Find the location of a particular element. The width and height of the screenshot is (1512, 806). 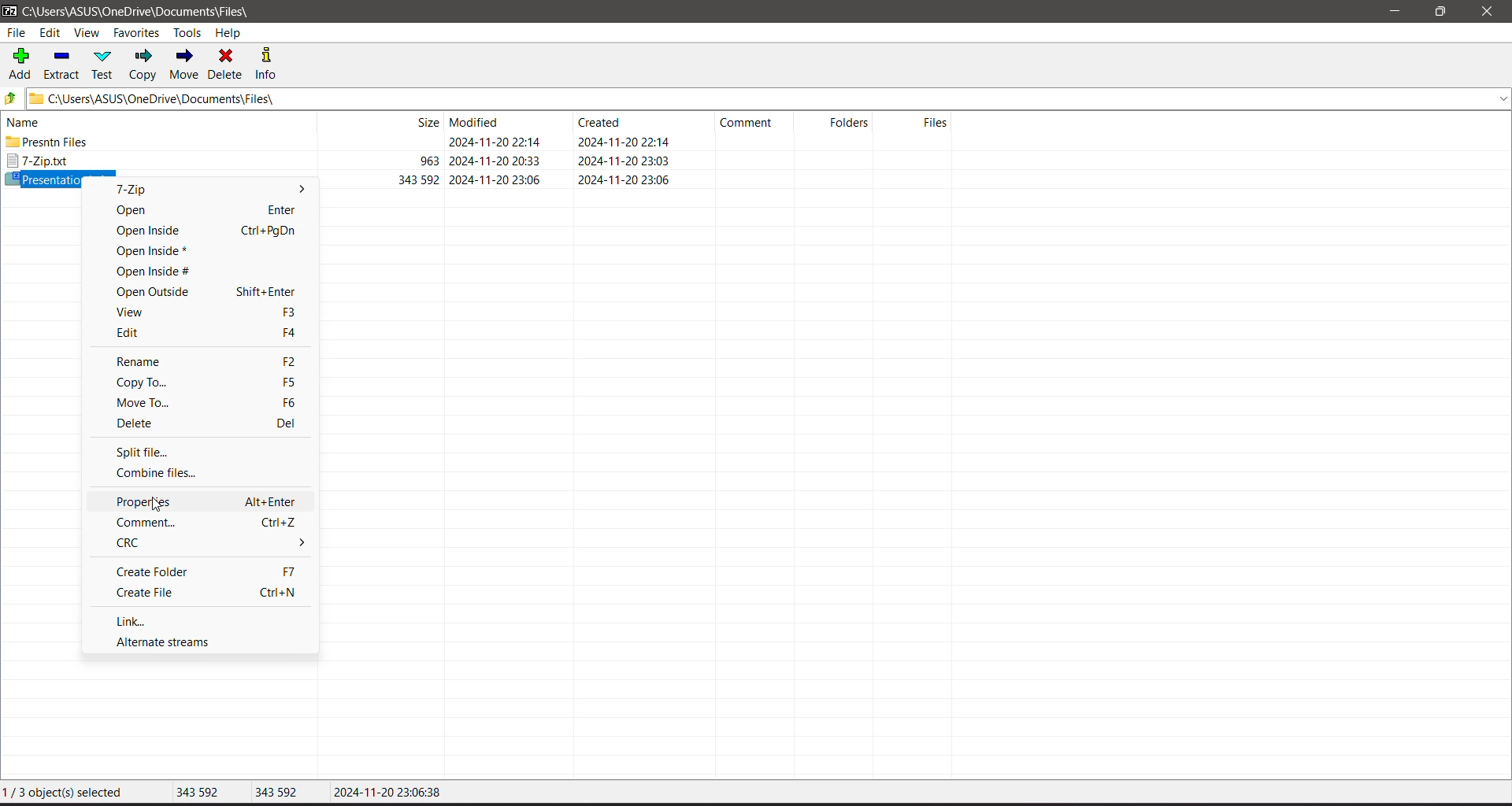

Create file is located at coordinates (203, 594).